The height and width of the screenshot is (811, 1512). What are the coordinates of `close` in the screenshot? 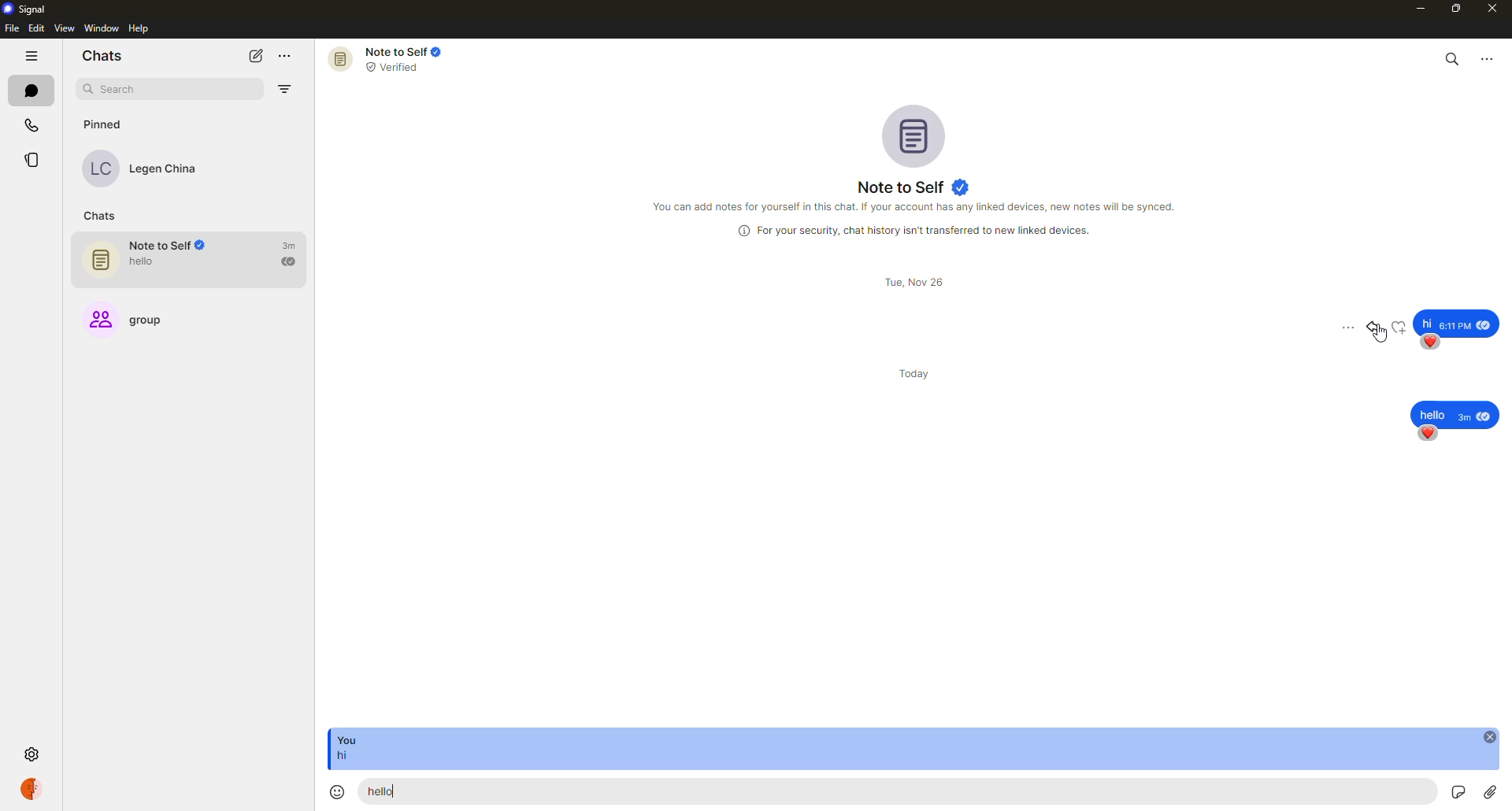 It's located at (1489, 738).